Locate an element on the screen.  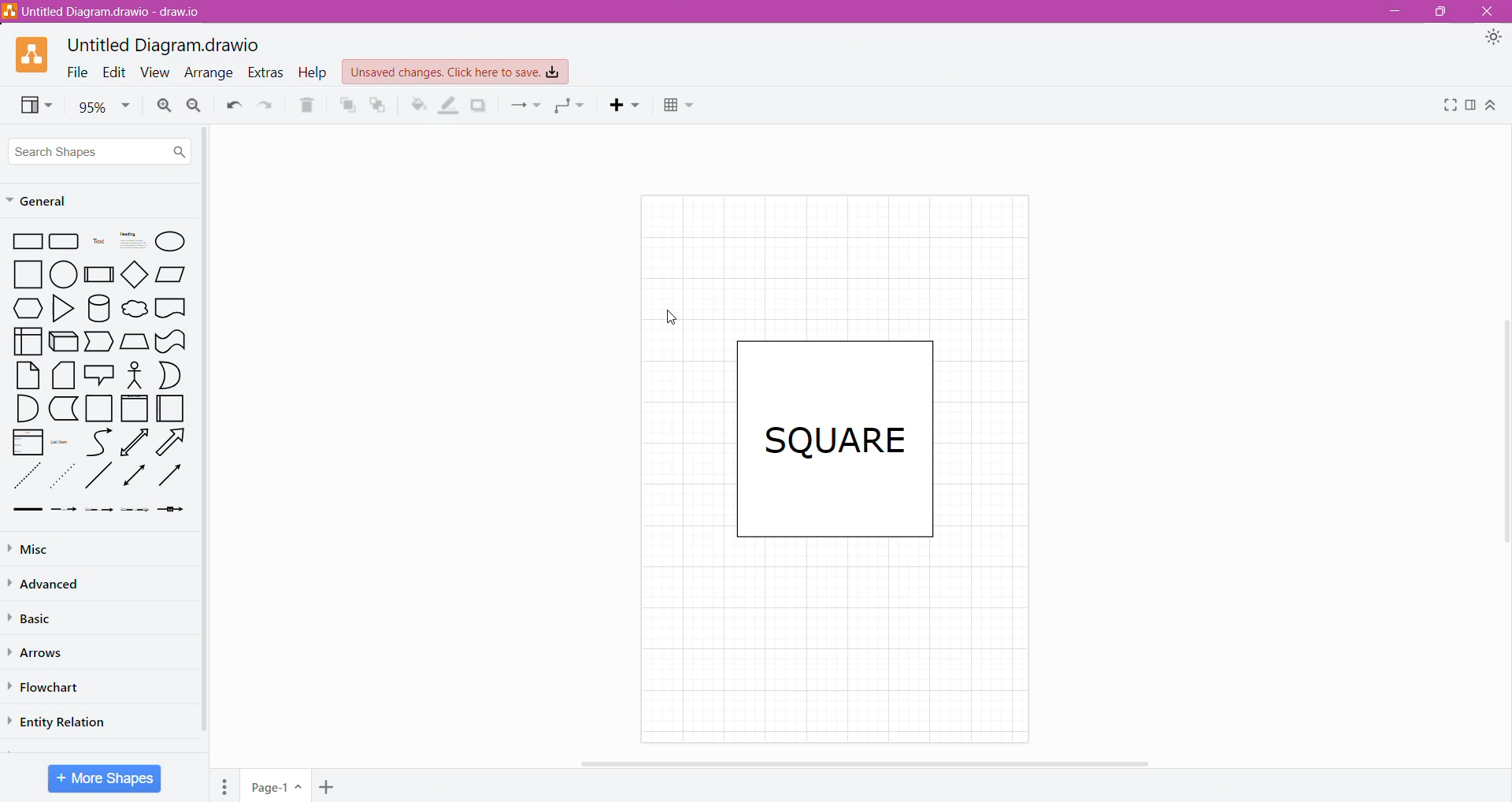
Arrange is located at coordinates (210, 73).